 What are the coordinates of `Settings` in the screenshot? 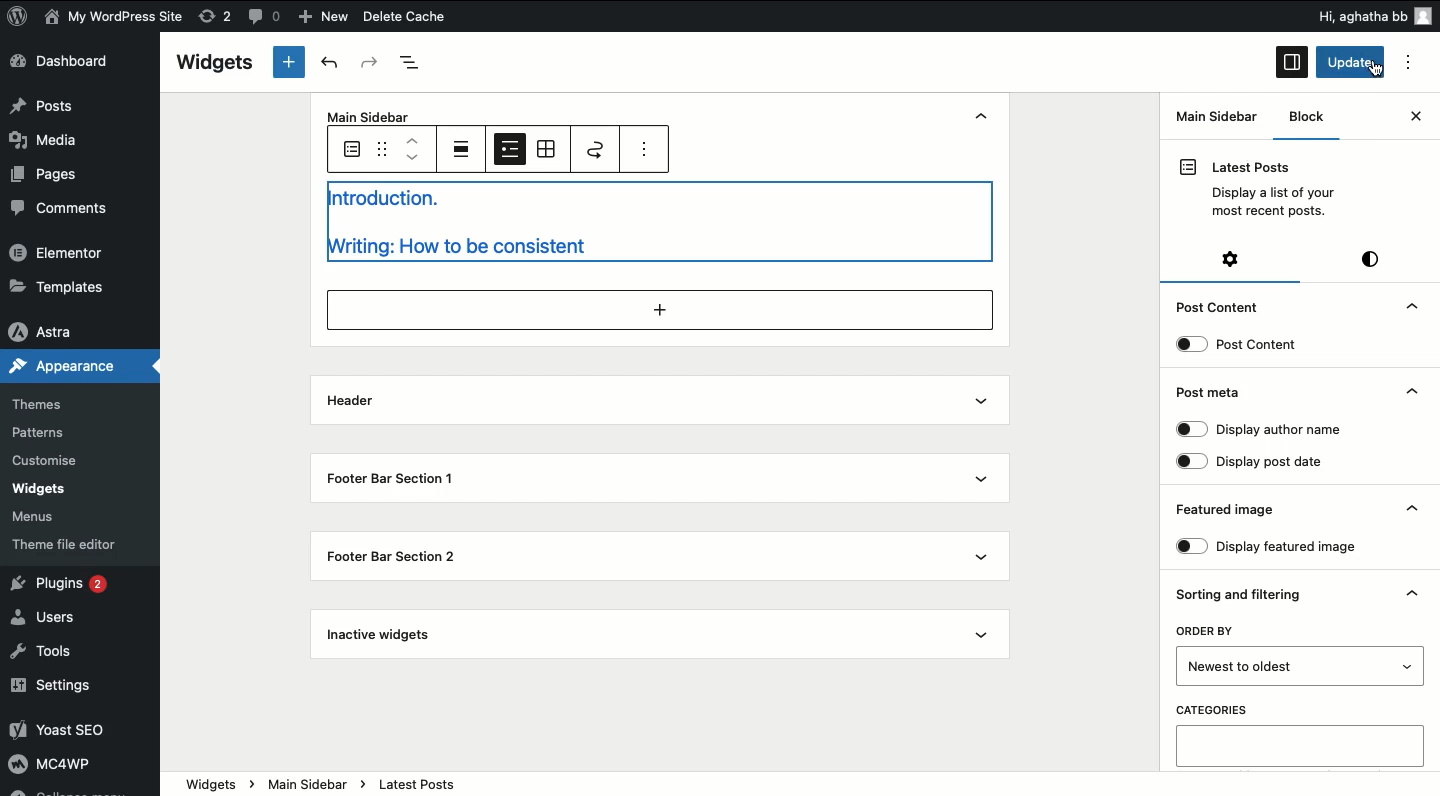 It's located at (58, 691).